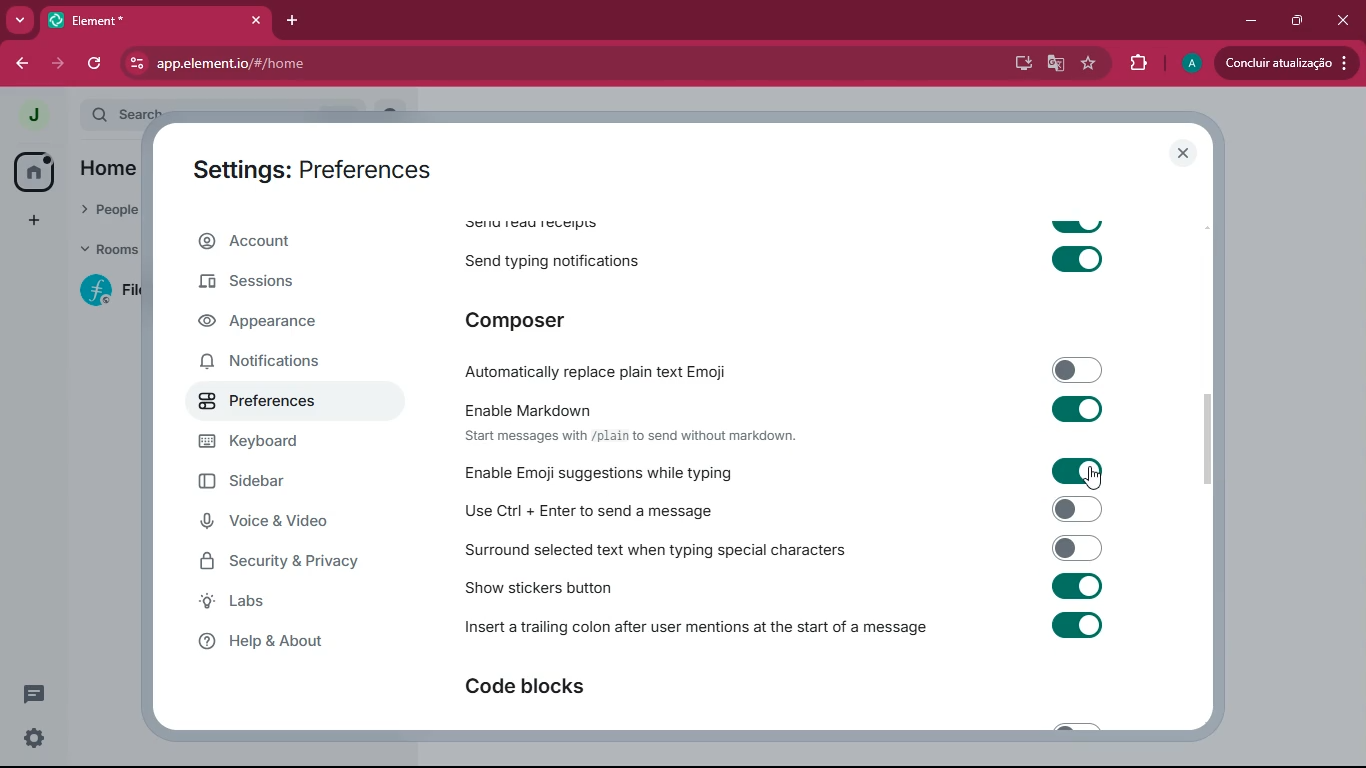 The height and width of the screenshot is (768, 1366). What do you see at coordinates (22, 63) in the screenshot?
I see `back` at bounding box center [22, 63].